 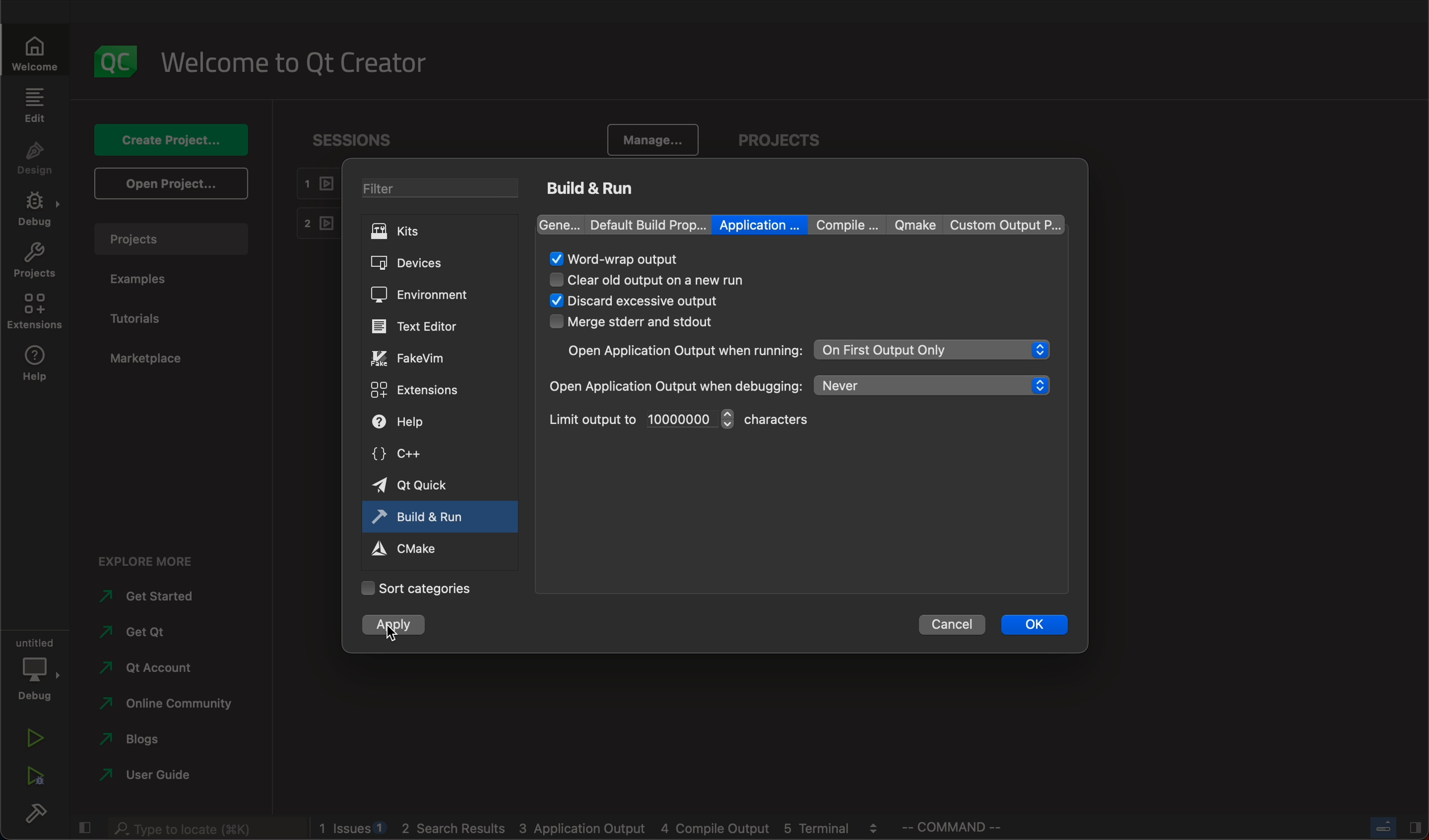 I want to click on run debug, so click(x=34, y=779).